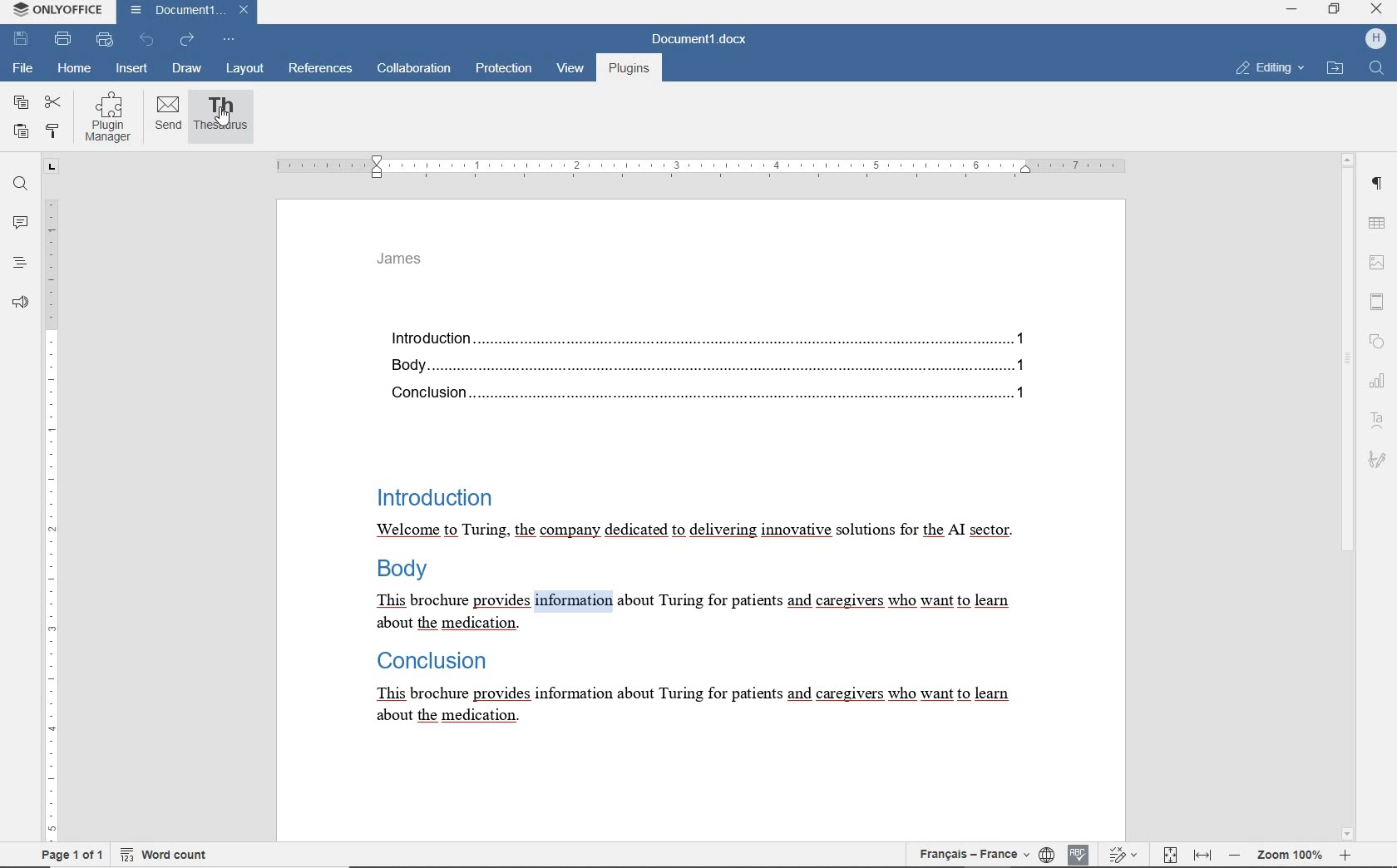  What do you see at coordinates (1120, 855) in the screenshot?
I see `TRACK CHANGES` at bounding box center [1120, 855].